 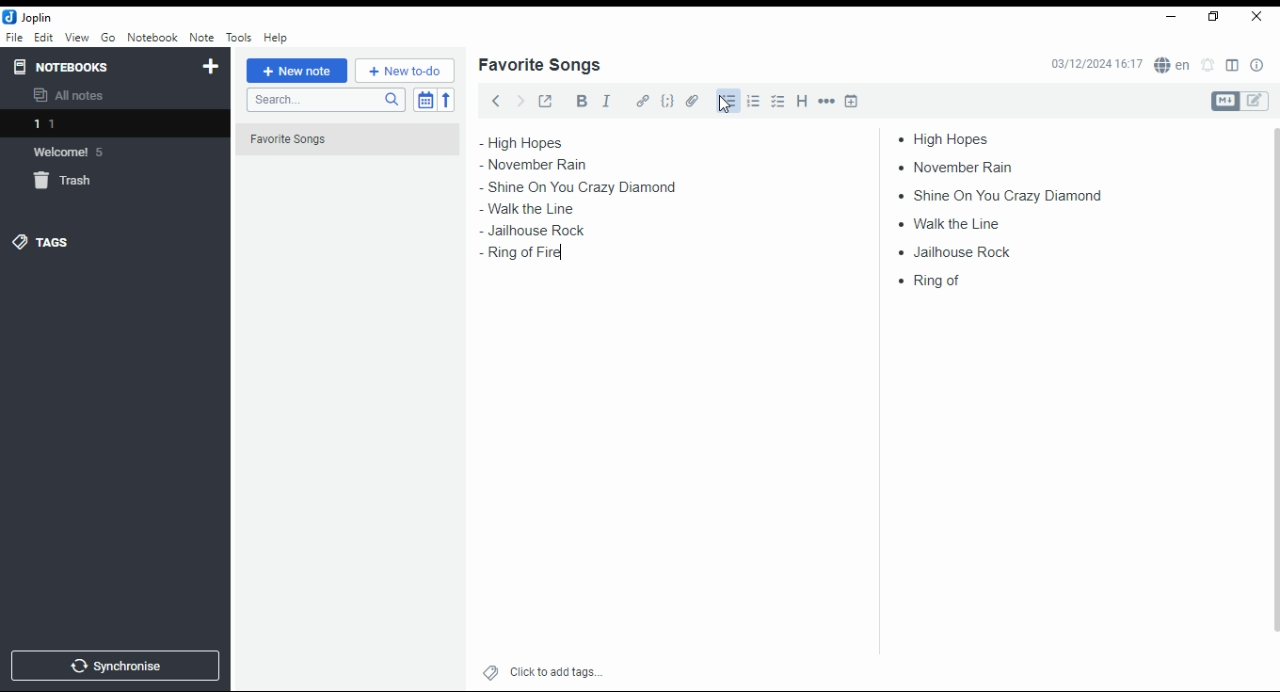 What do you see at coordinates (152, 37) in the screenshot?
I see `notebook` at bounding box center [152, 37].